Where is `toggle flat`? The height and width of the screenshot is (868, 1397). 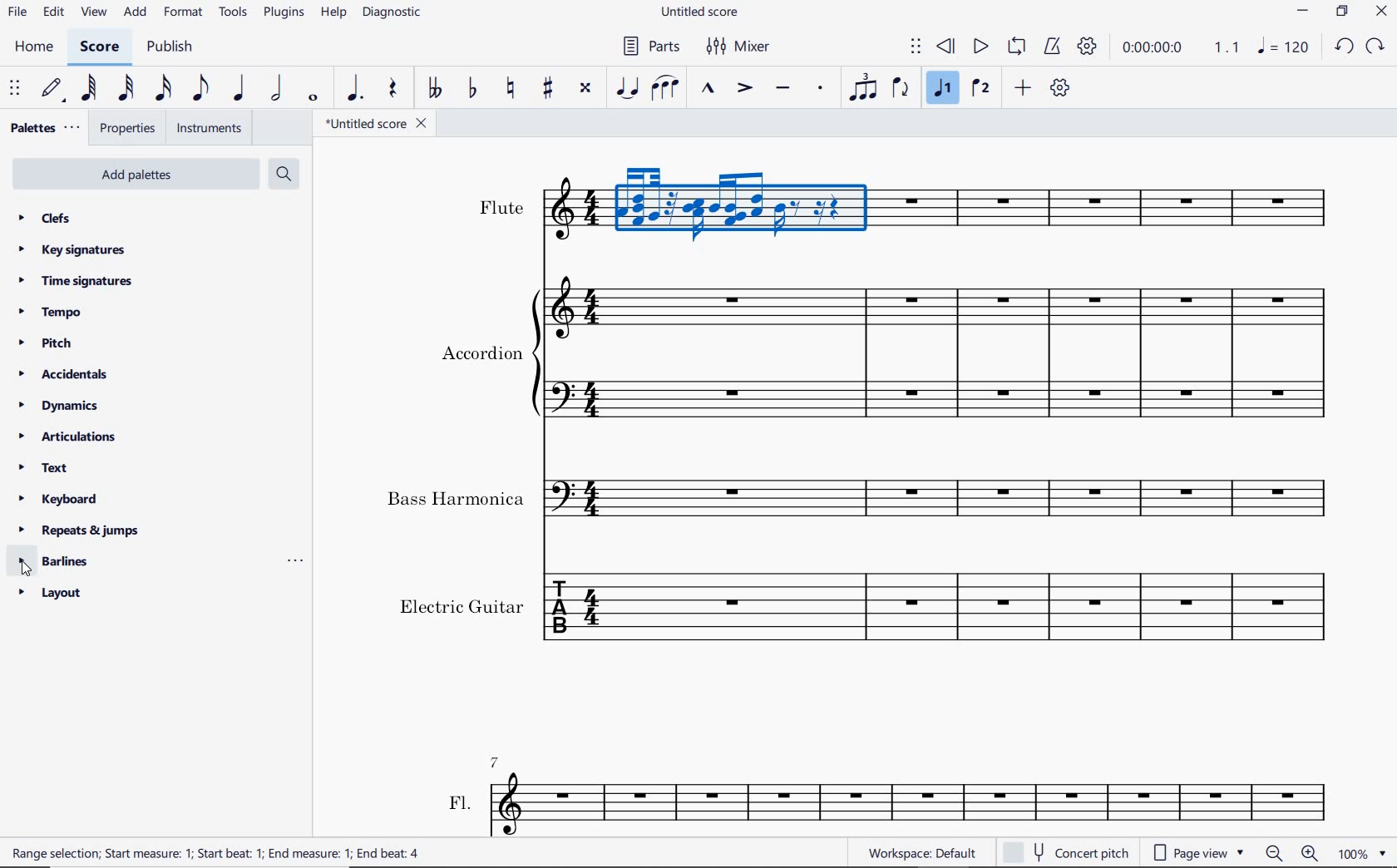
toggle flat is located at coordinates (472, 89).